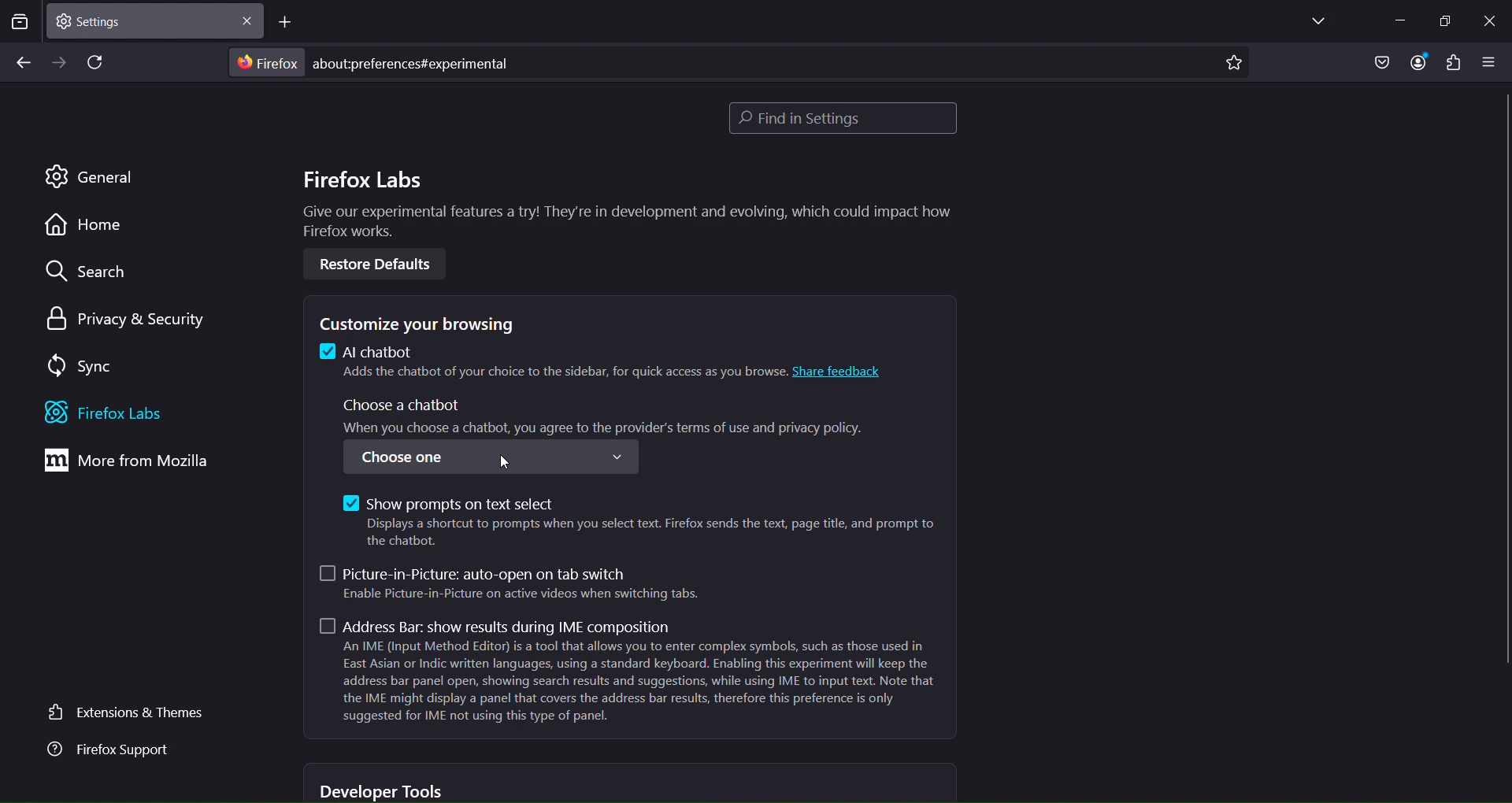  I want to click on extensions, so click(1453, 65).